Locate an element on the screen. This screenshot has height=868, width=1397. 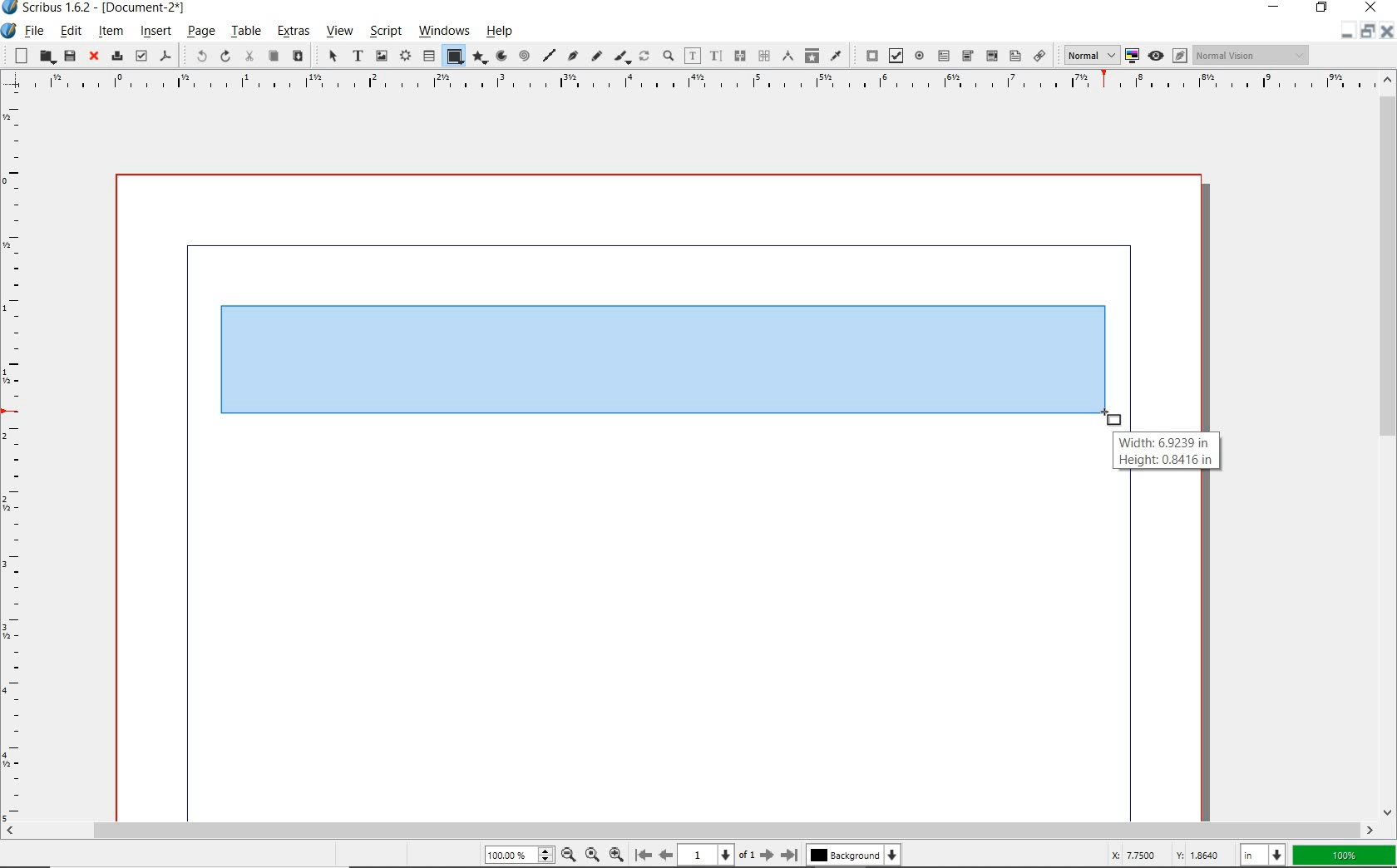
edit is located at coordinates (72, 31).